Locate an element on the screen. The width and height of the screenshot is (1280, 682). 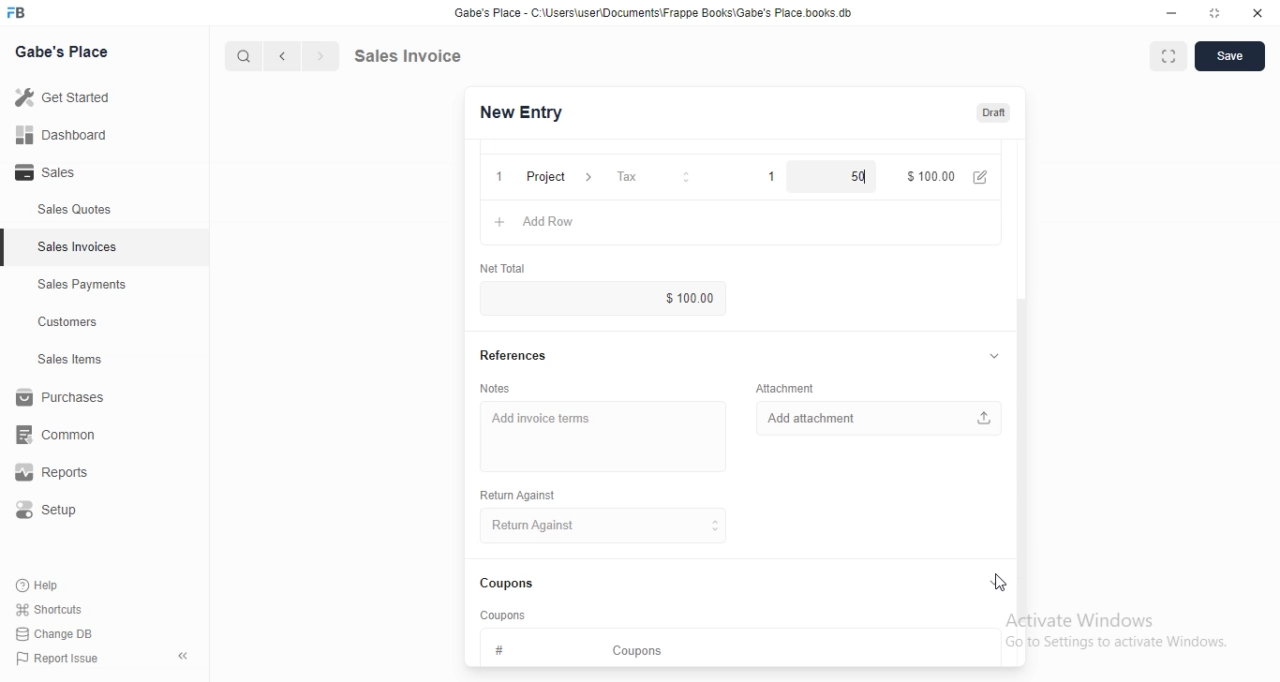
common is located at coordinates (62, 434).